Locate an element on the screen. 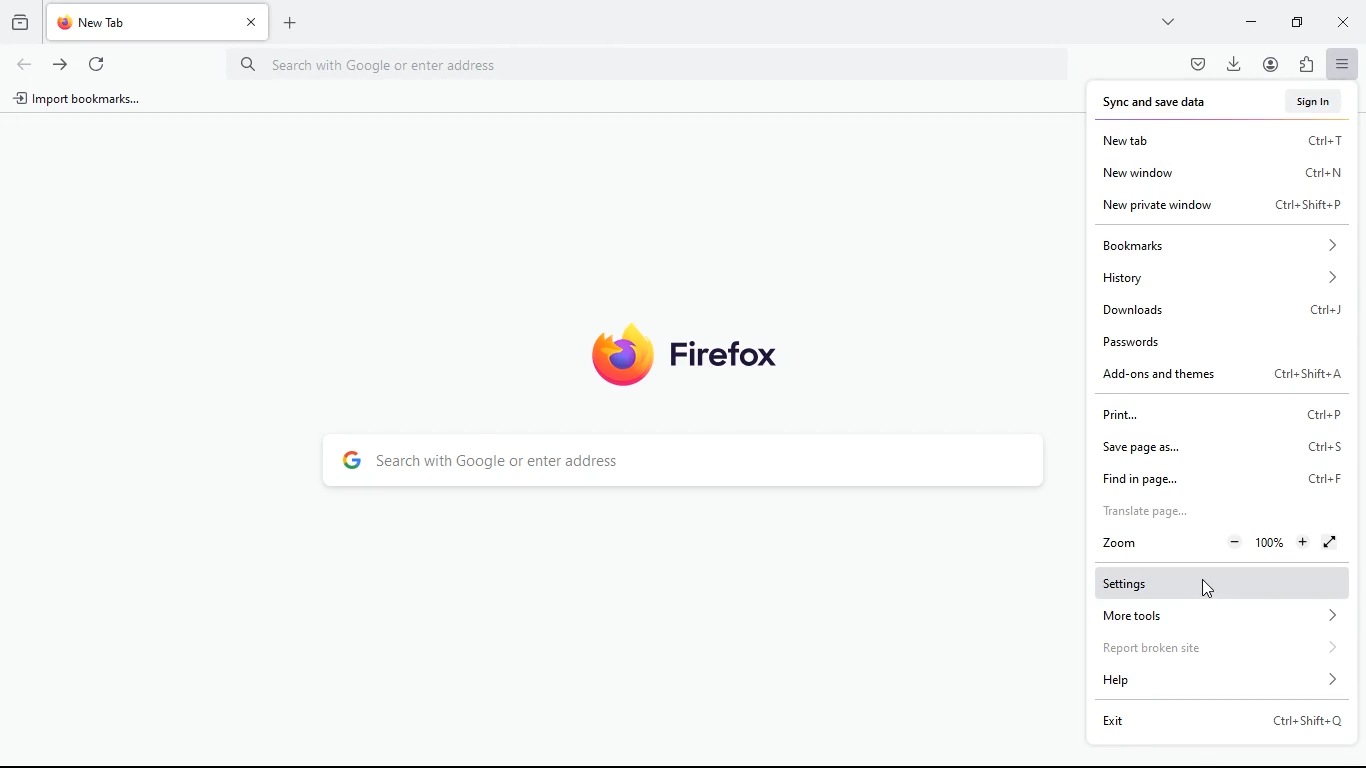 This screenshot has height=768, width=1366. maximize is located at coordinates (1298, 24).